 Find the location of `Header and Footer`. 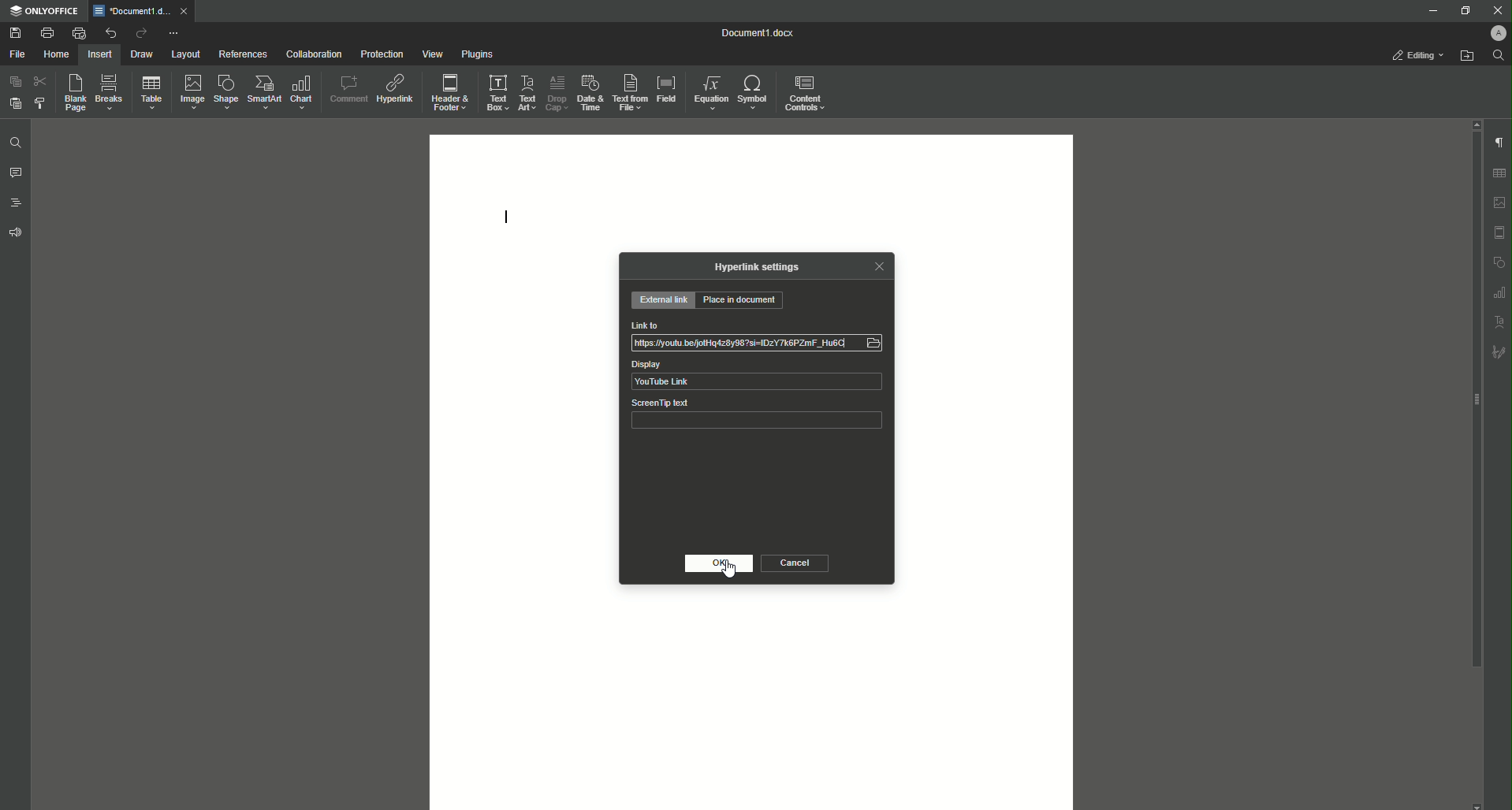

Header and Footer is located at coordinates (450, 92).